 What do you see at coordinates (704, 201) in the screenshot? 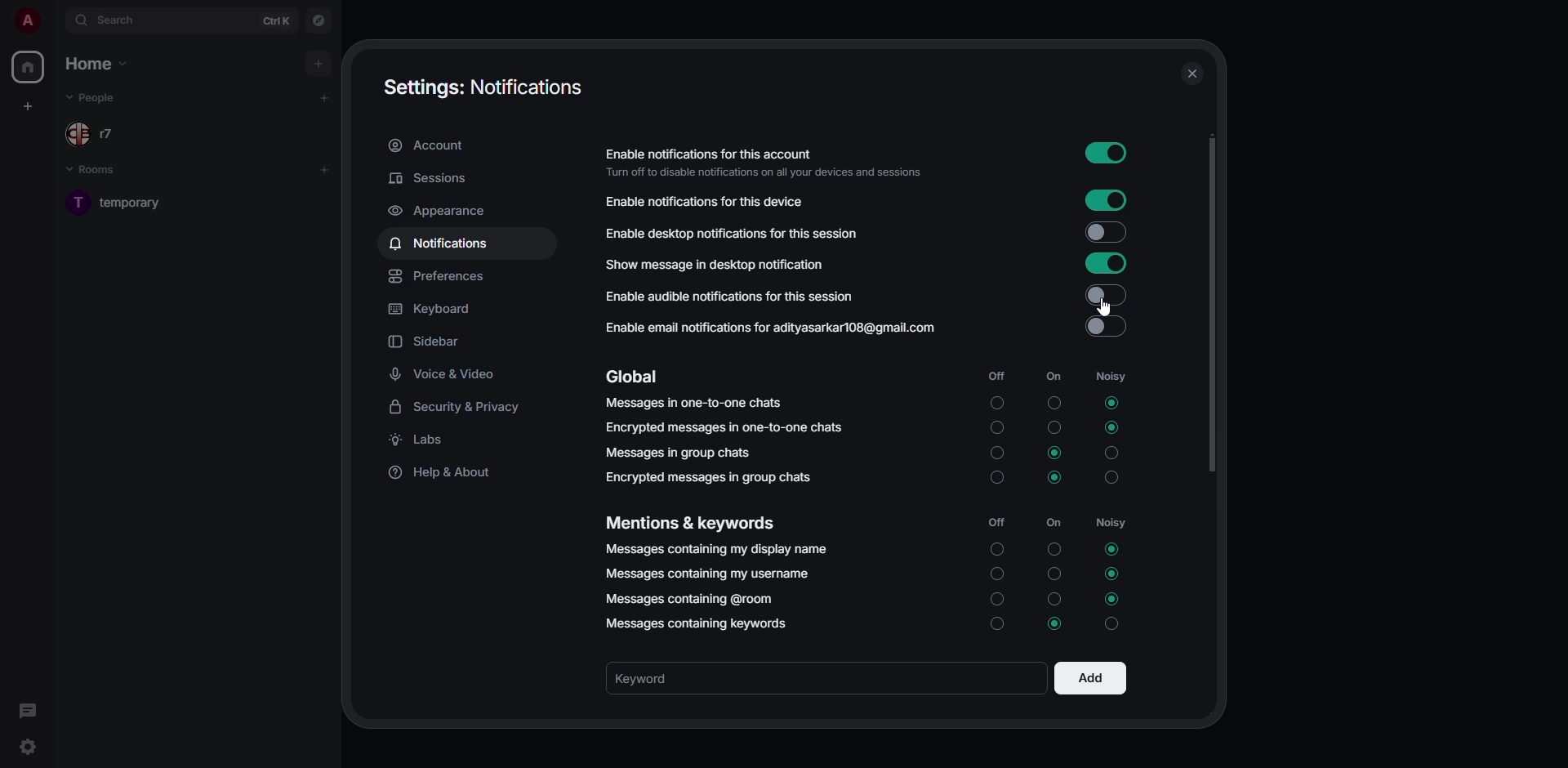
I see `enable notifications for this device` at bounding box center [704, 201].